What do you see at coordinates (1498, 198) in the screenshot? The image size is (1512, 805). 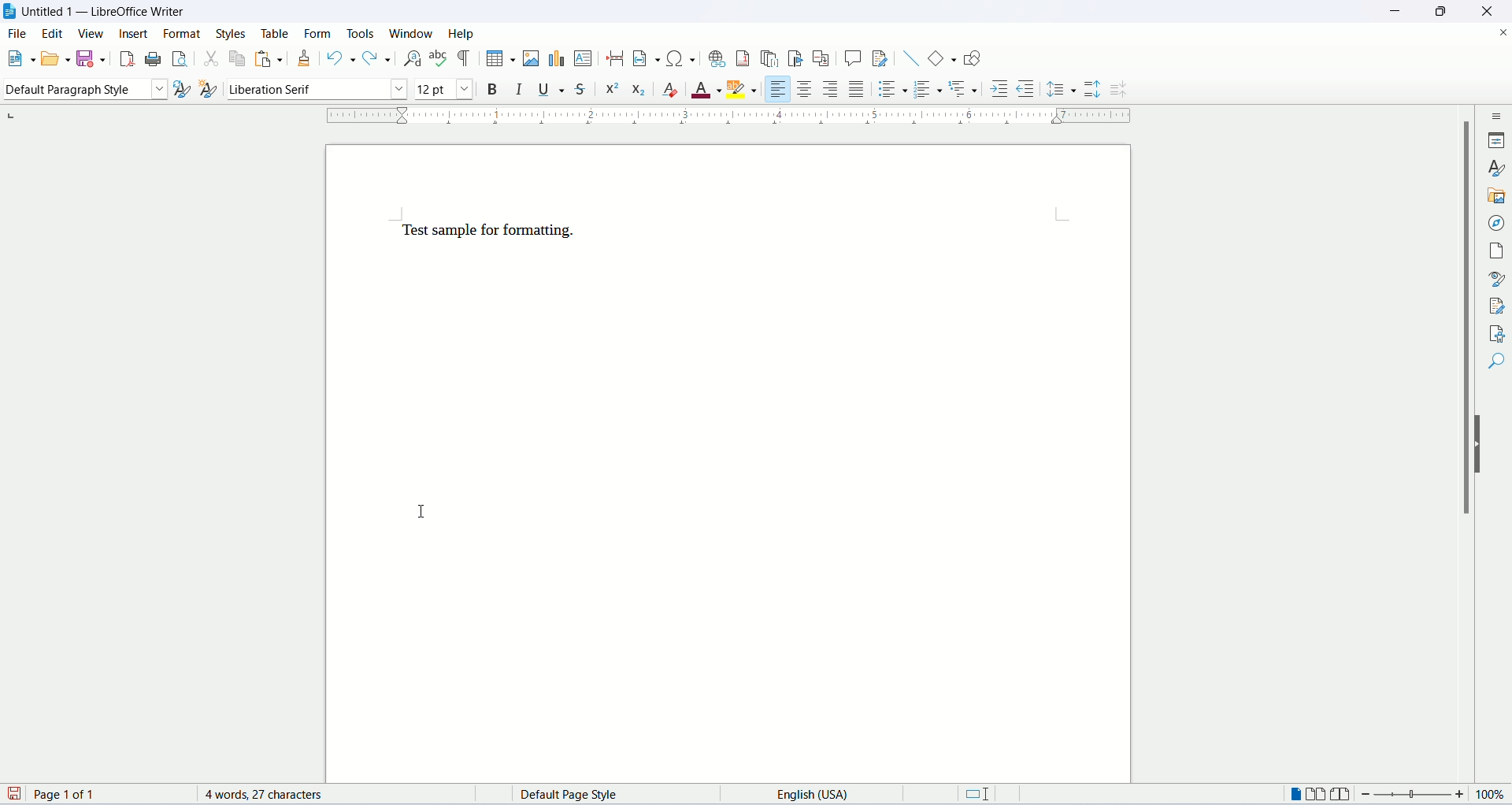 I see `gallery` at bounding box center [1498, 198].